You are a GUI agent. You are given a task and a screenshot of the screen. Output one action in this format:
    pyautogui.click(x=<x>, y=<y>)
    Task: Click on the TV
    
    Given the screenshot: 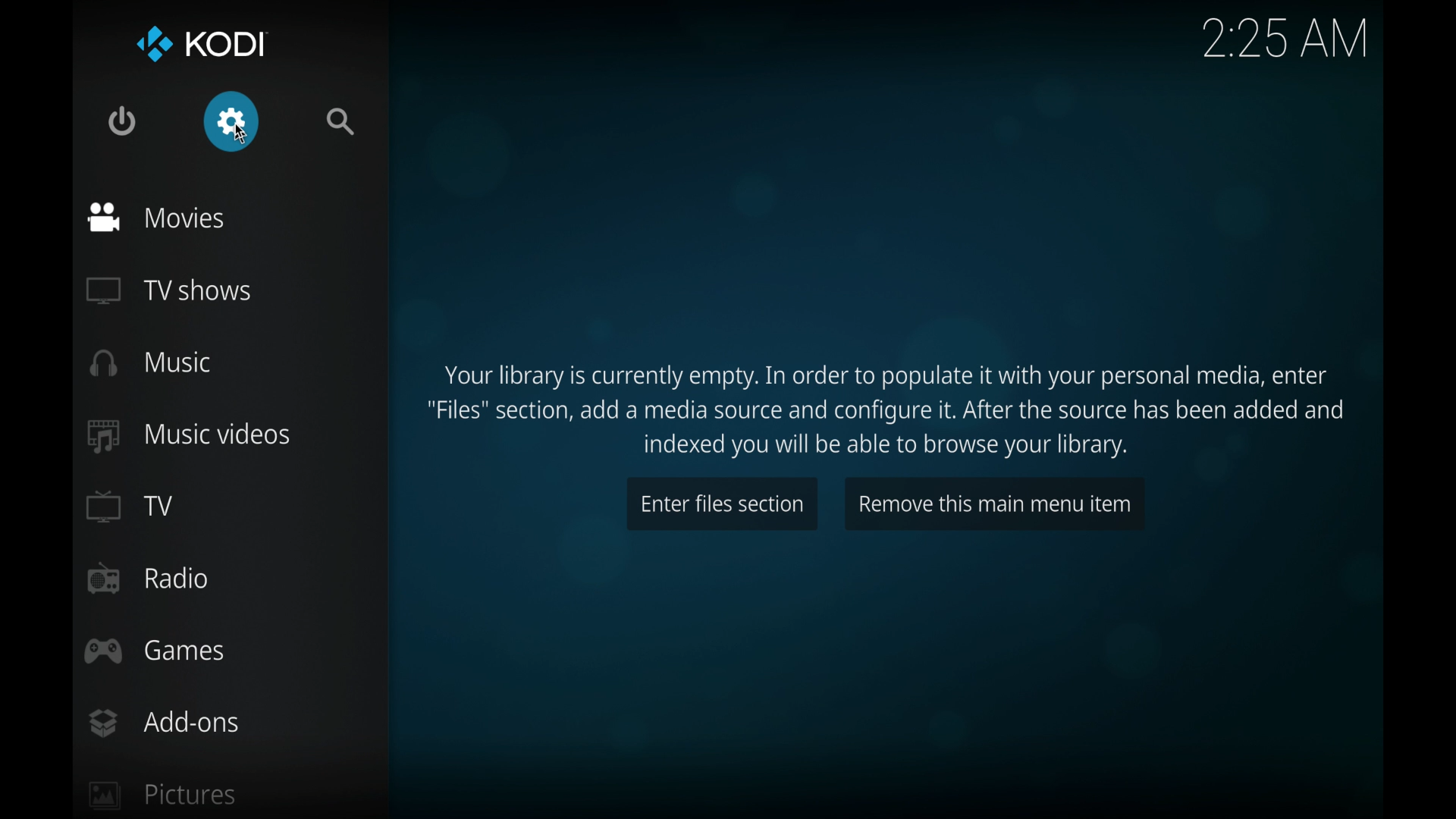 What is the action you would take?
    pyautogui.click(x=128, y=506)
    